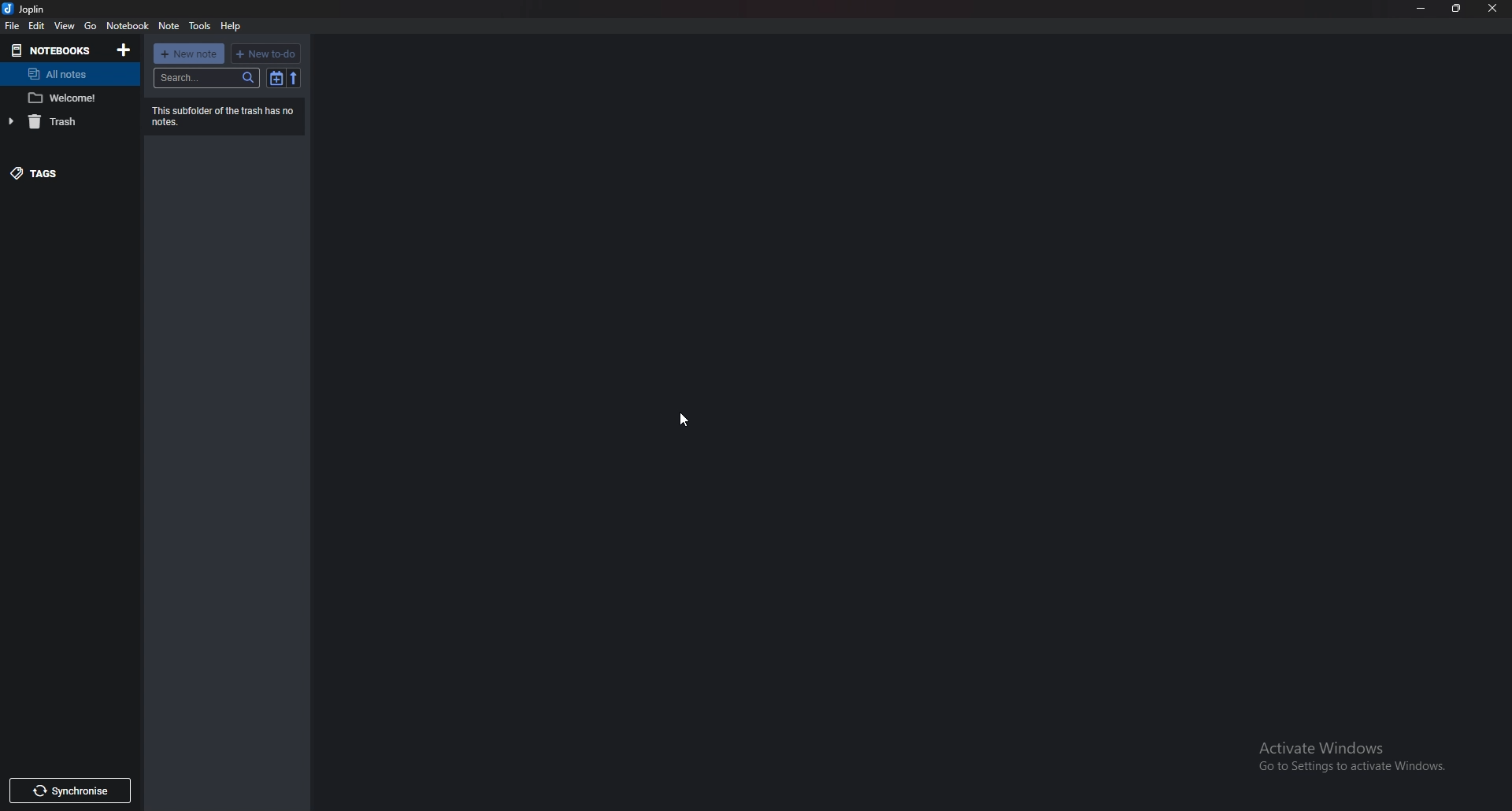  I want to click on notebook, so click(127, 26).